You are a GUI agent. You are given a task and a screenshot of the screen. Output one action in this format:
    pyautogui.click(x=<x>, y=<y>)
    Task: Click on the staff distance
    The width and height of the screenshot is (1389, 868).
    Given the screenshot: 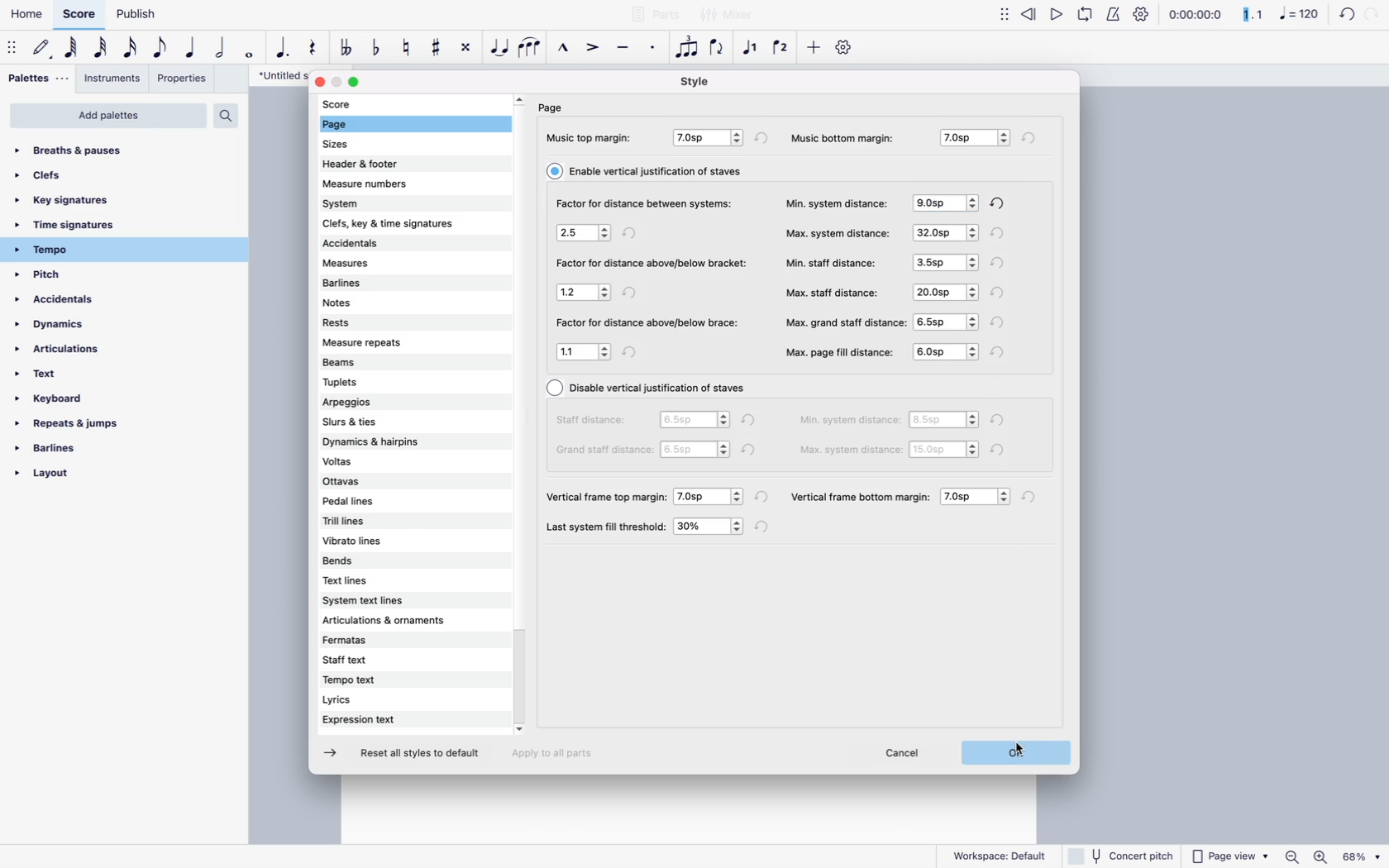 What is the action you would take?
    pyautogui.click(x=594, y=419)
    